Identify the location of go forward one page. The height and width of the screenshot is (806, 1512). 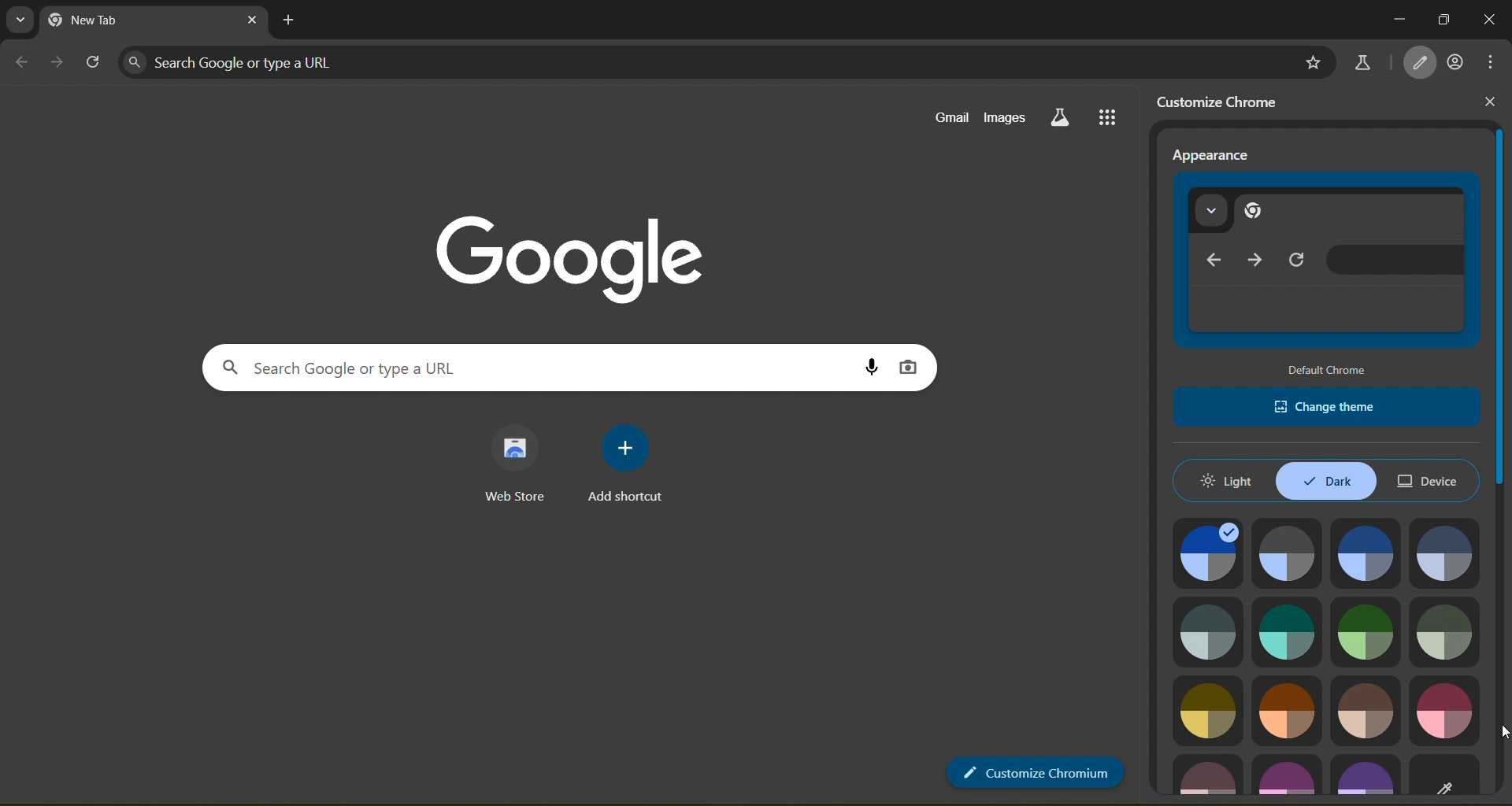
(60, 63).